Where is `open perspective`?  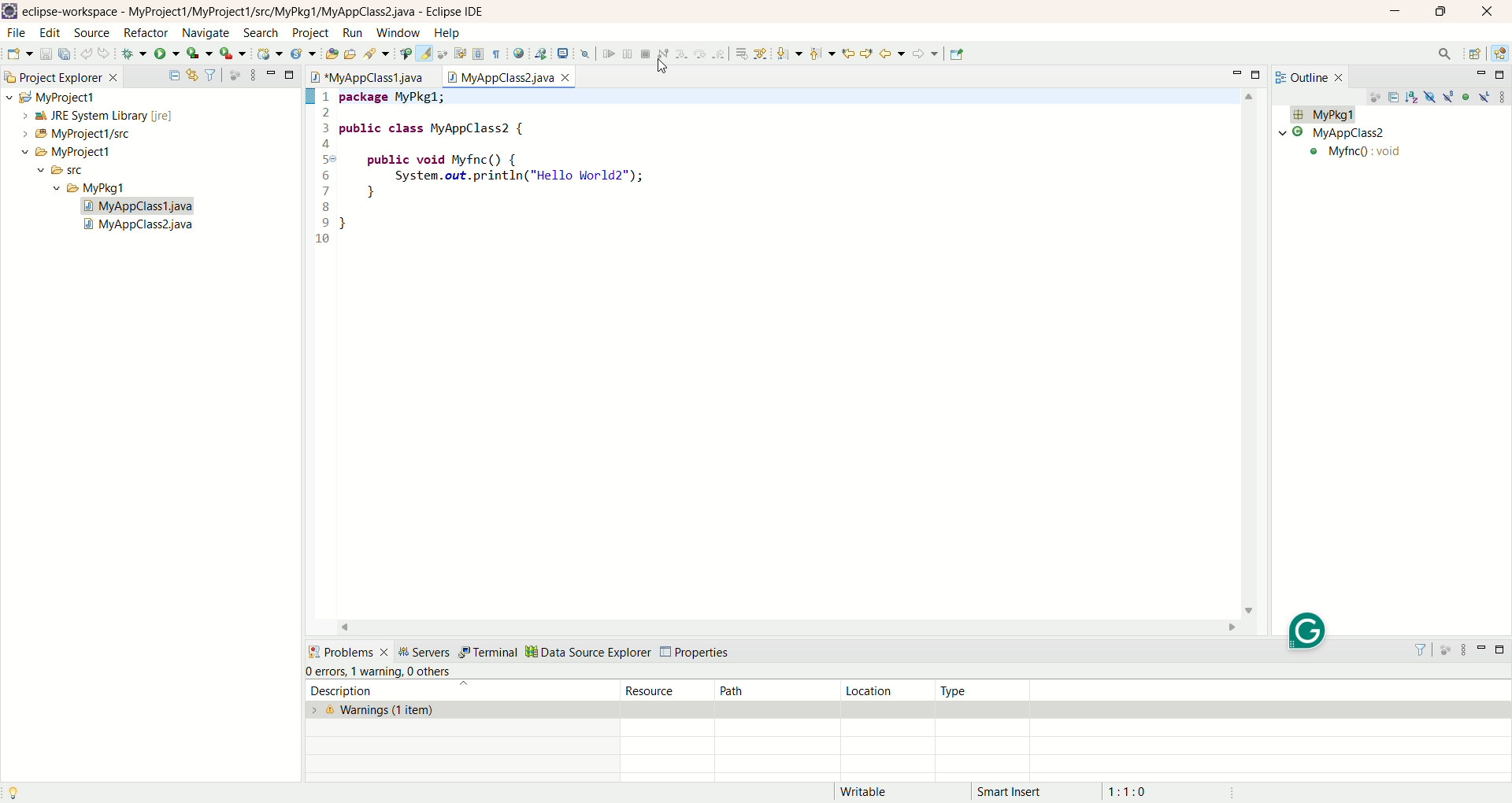
open perspective is located at coordinates (1475, 54).